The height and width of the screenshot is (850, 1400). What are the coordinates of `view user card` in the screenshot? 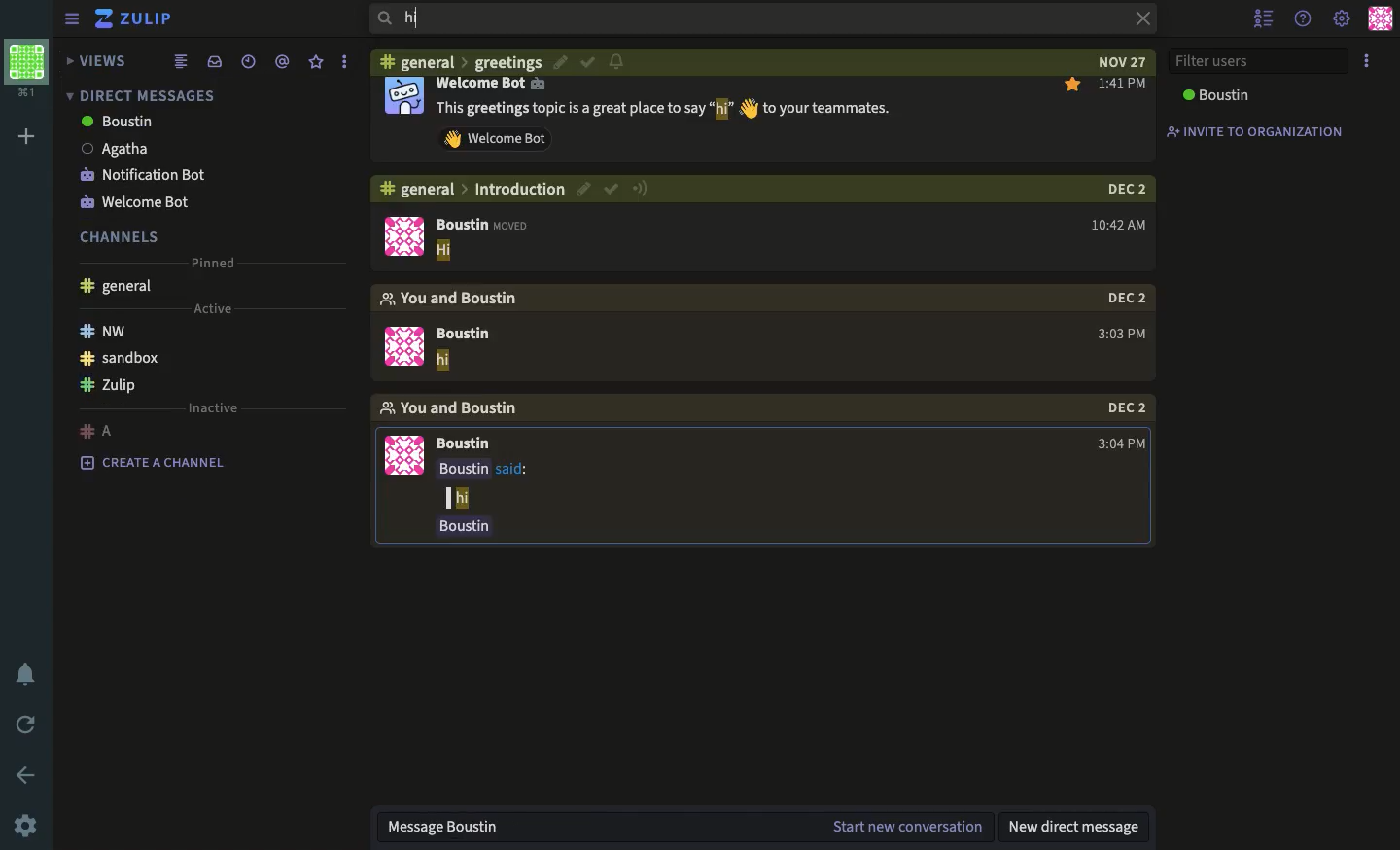 It's located at (402, 347).